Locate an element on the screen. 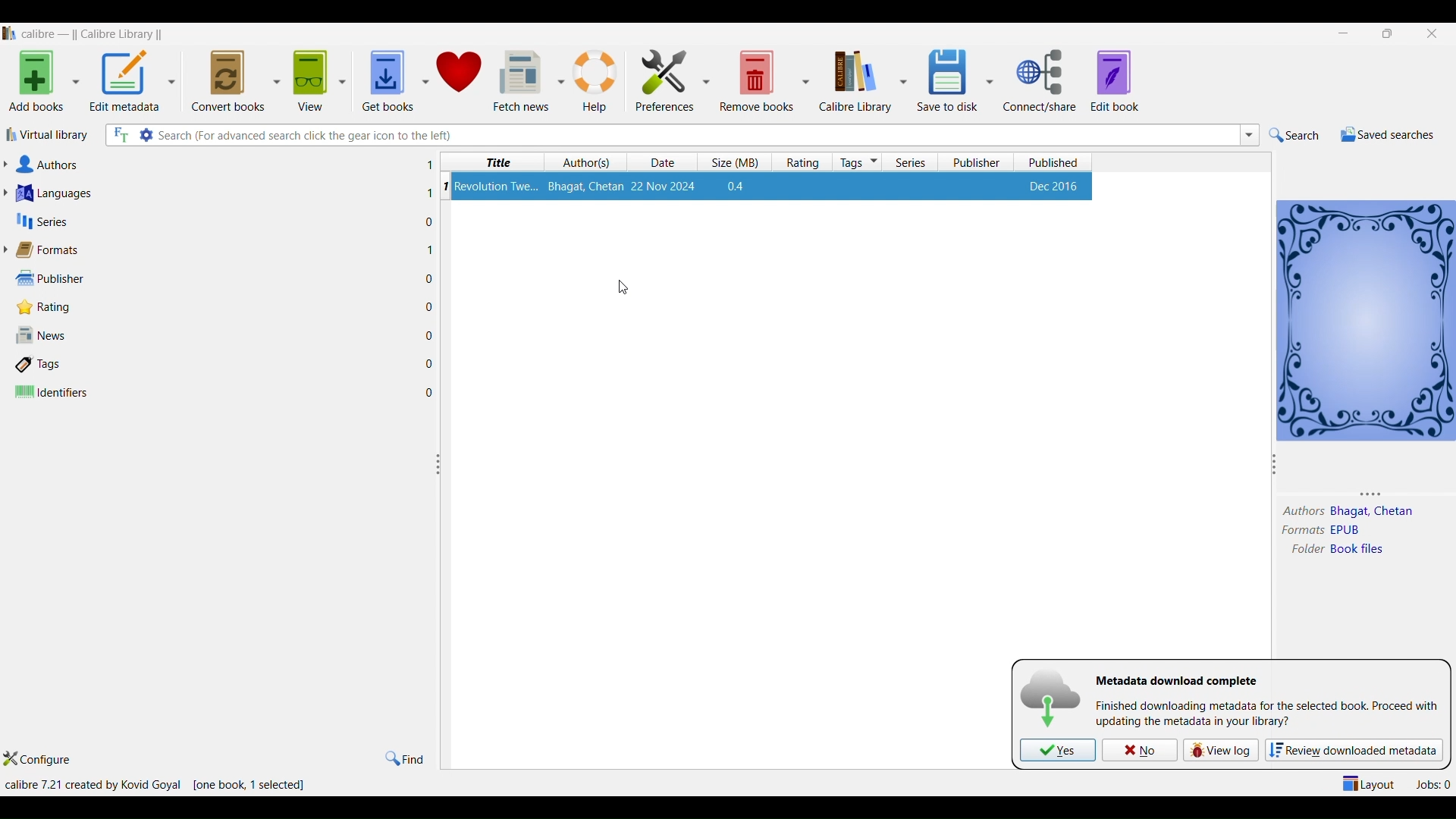 The width and height of the screenshot is (1456, 819). 1 is located at coordinates (429, 165).